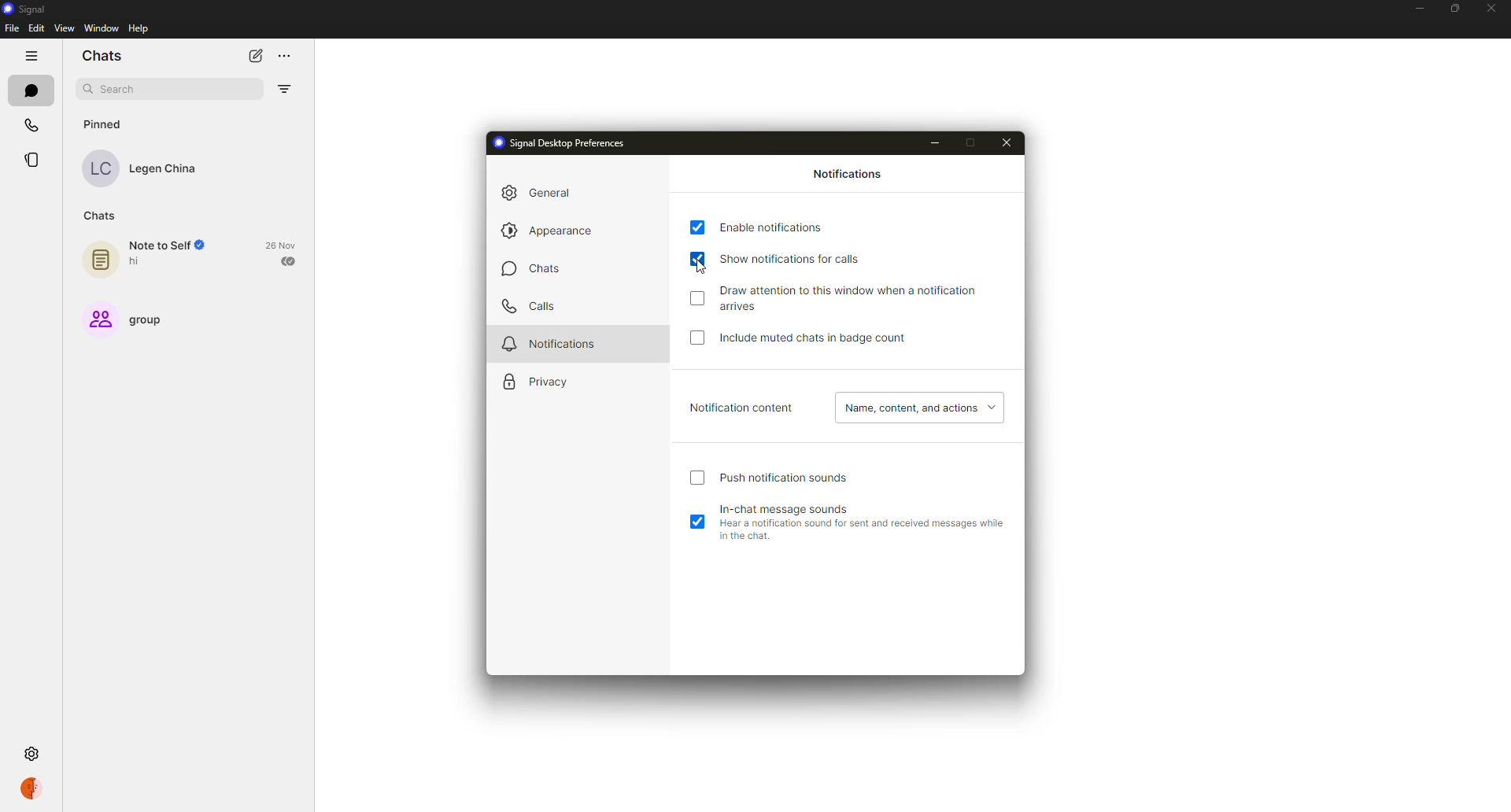  What do you see at coordinates (775, 227) in the screenshot?
I see `enable notifications` at bounding box center [775, 227].